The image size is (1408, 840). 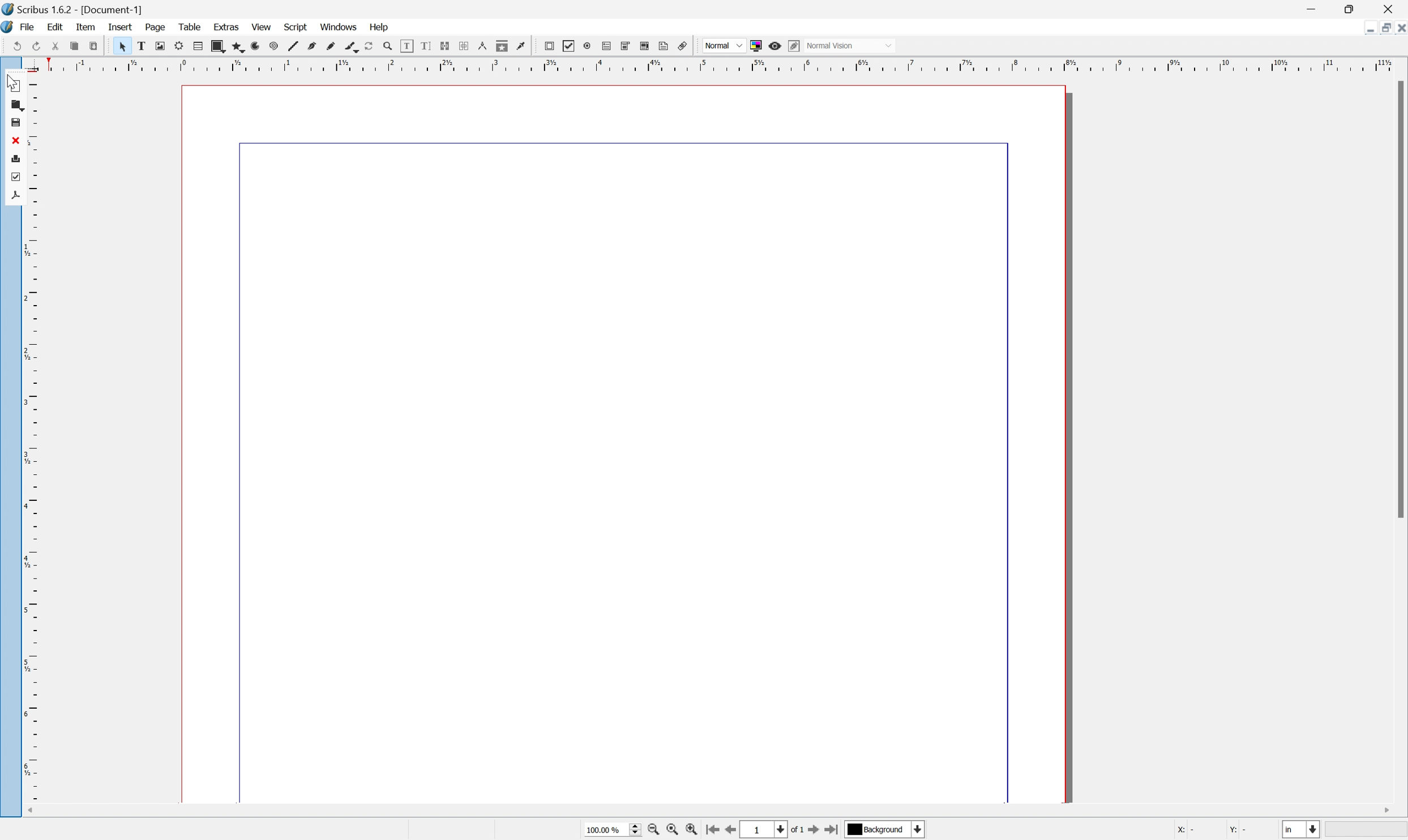 What do you see at coordinates (770, 830) in the screenshot?
I see `select current page` at bounding box center [770, 830].